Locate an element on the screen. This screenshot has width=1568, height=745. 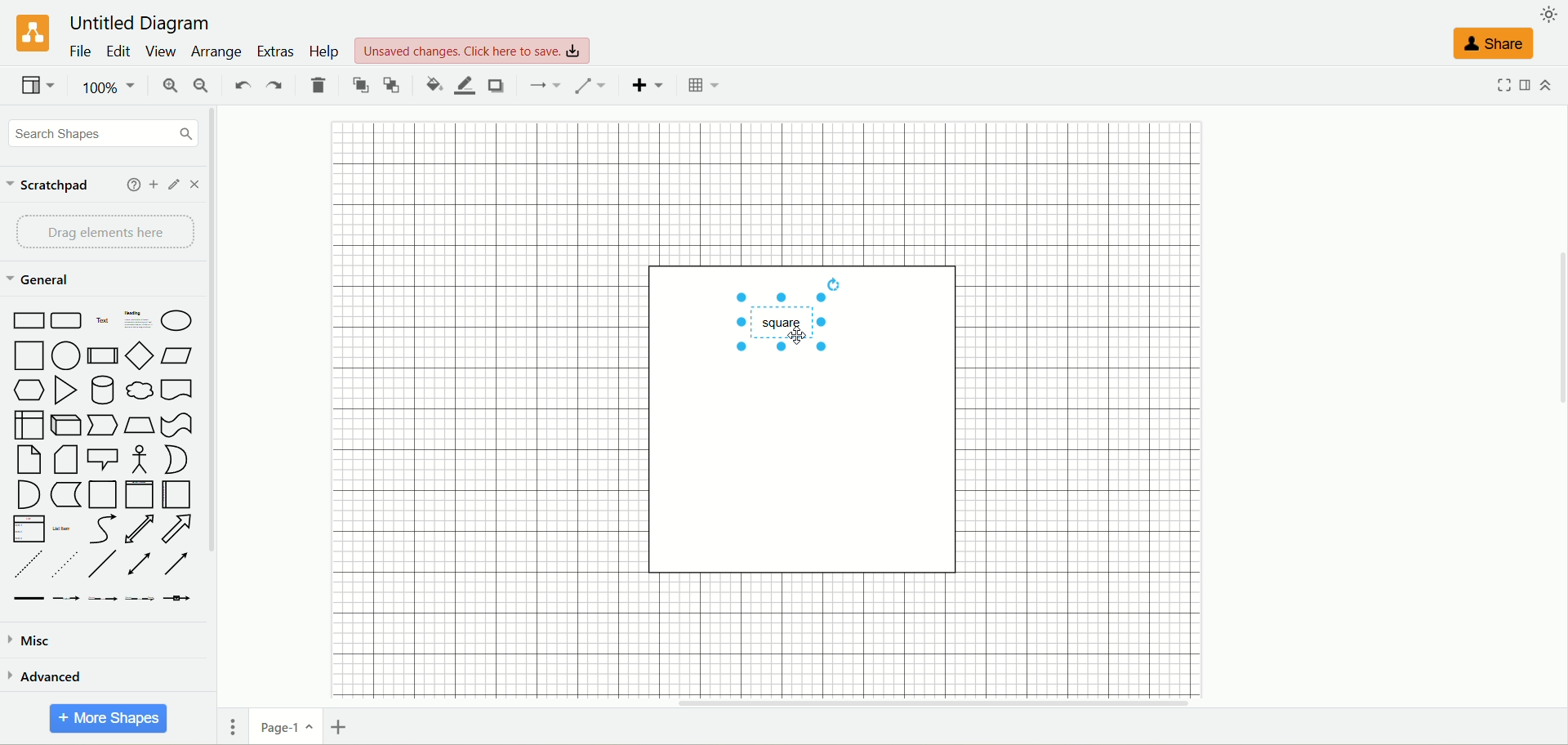
view is located at coordinates (38, 87).